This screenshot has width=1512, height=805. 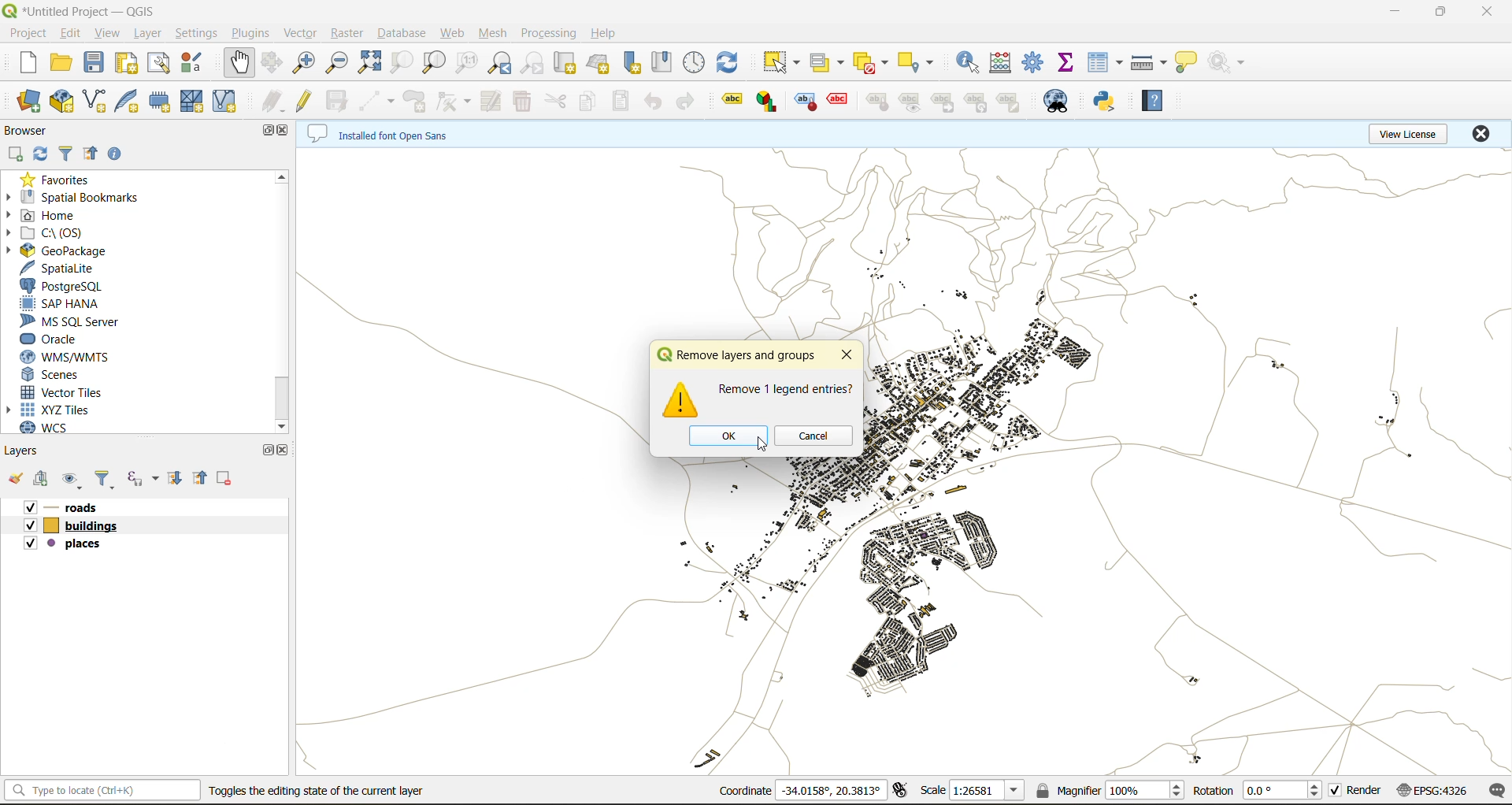 I want to click on select, so click(x=783, y=63).